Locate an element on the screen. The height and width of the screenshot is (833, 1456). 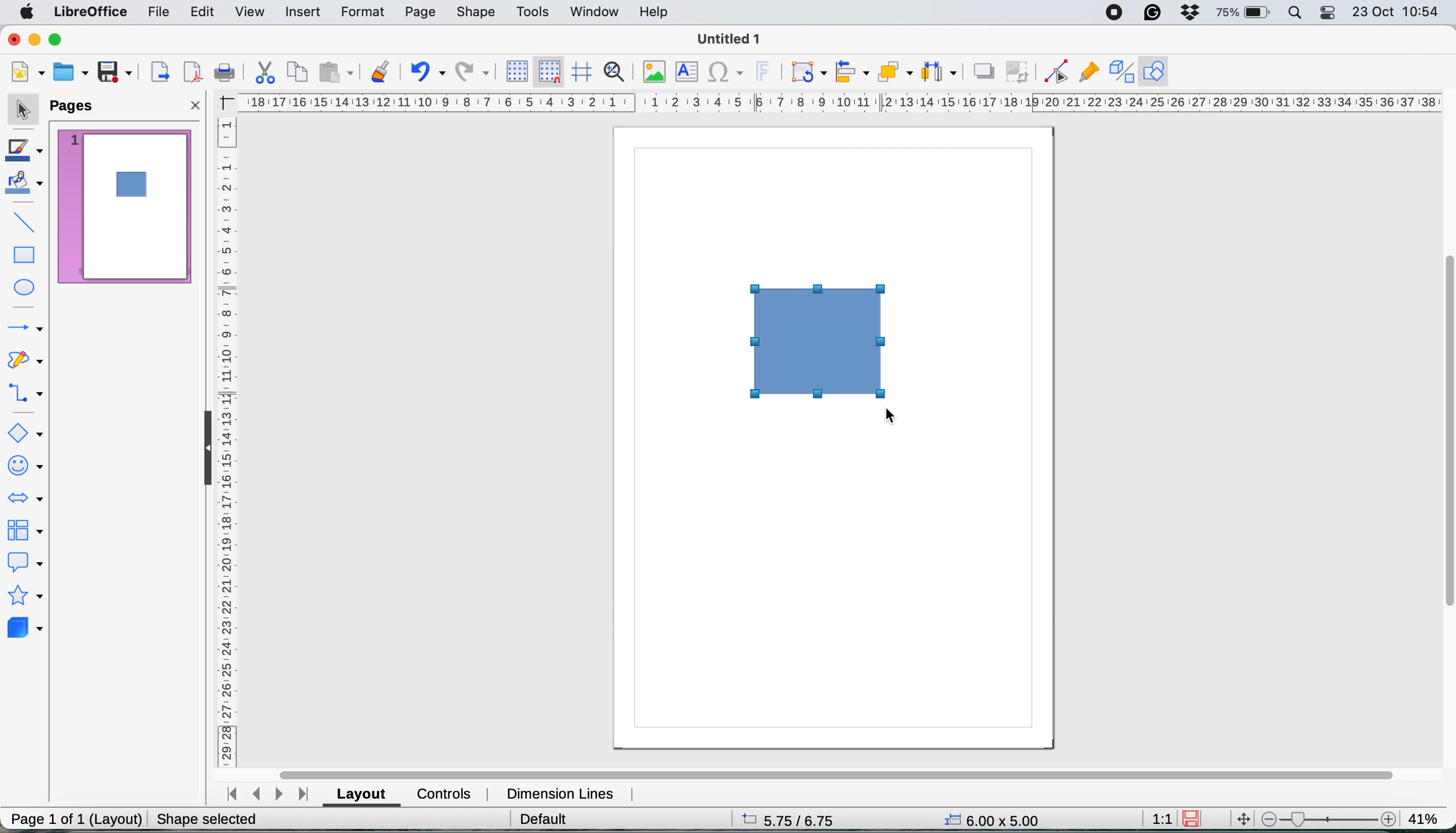
zoom and pan is located at coordinates (620, 71).